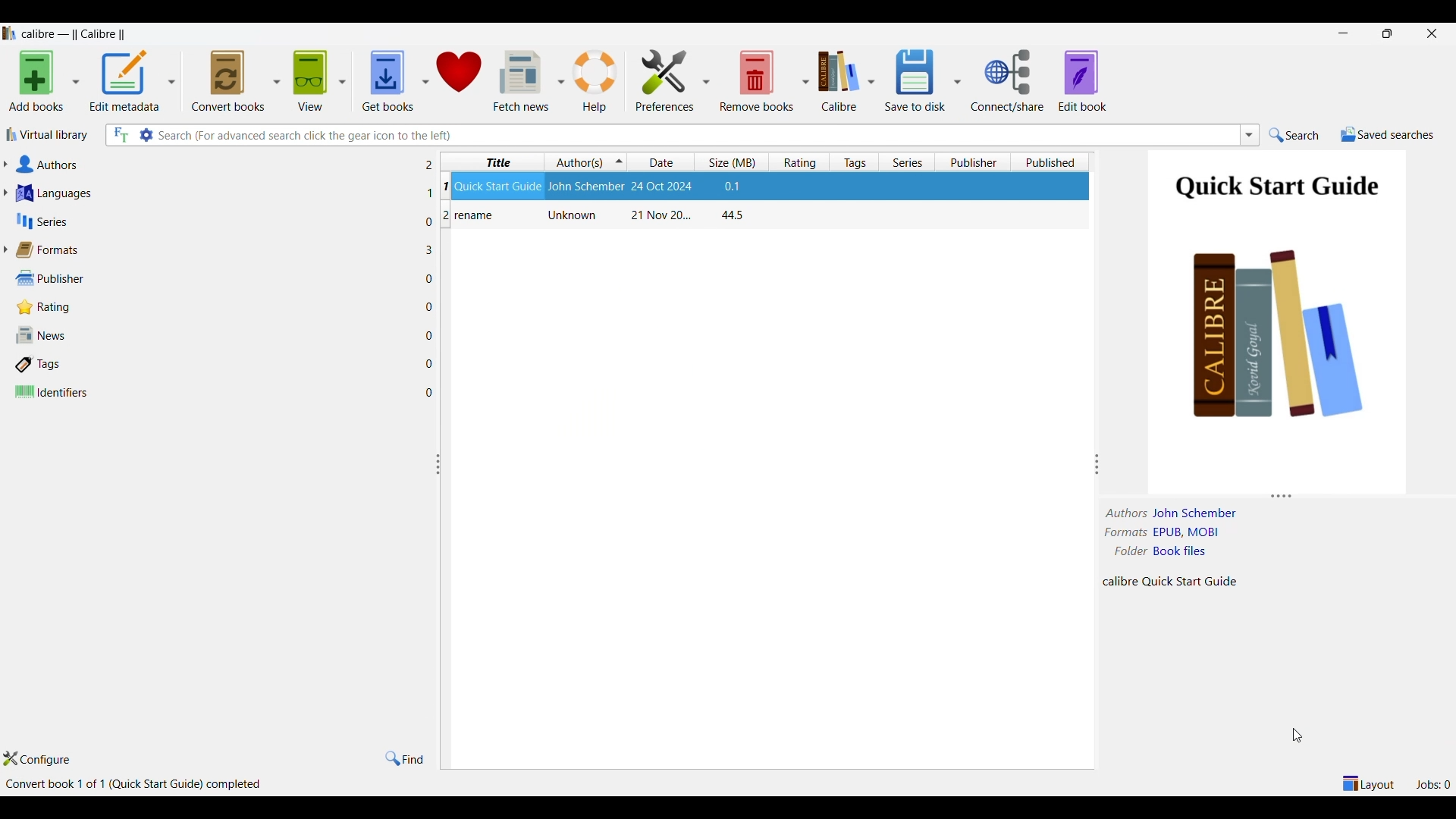  What do you see at coordinates (310, 81) in the screenshot?
I see `View` at bounding box center [310, 81].